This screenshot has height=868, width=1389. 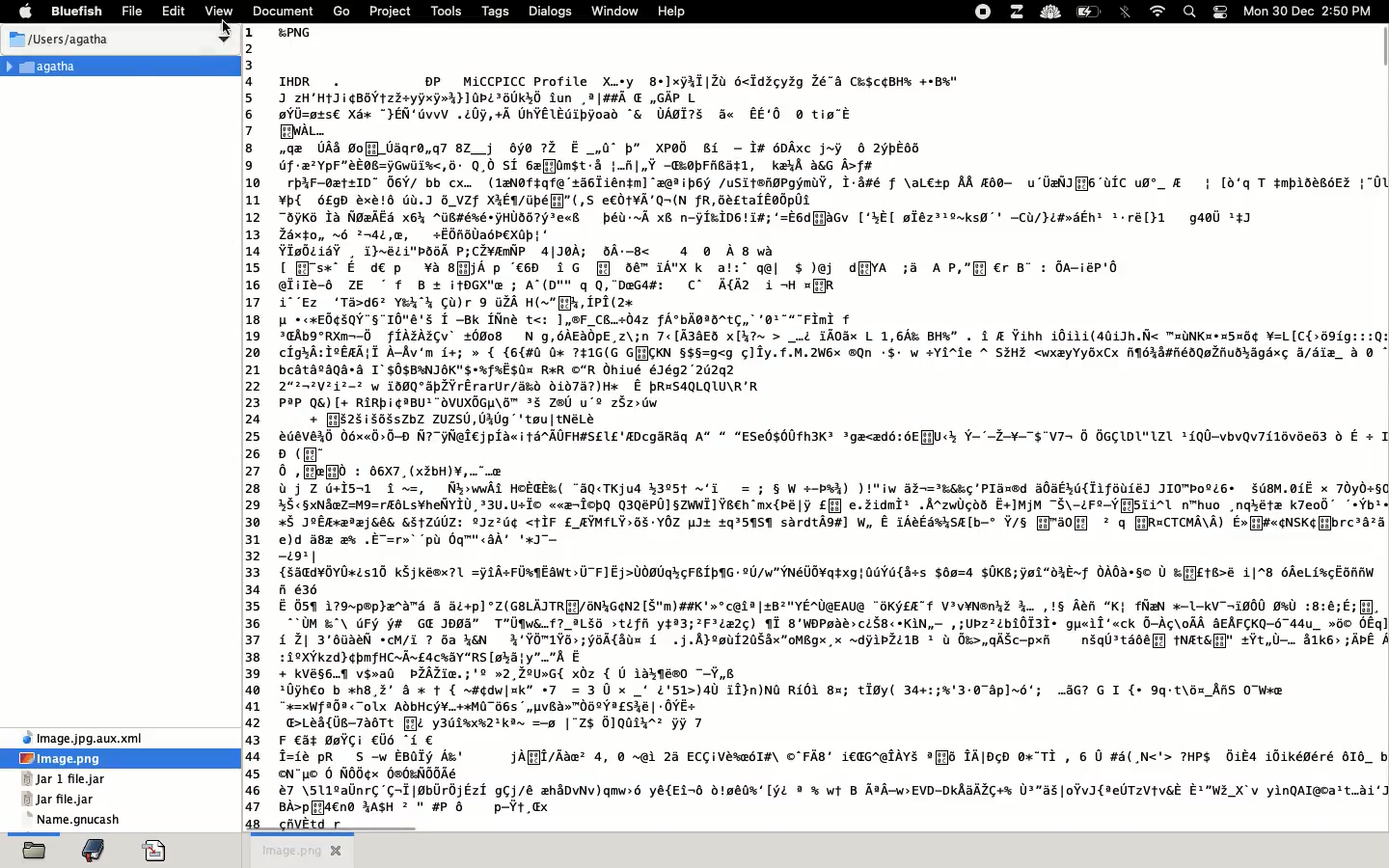 I want to click on document, so click(x=282, y=11).